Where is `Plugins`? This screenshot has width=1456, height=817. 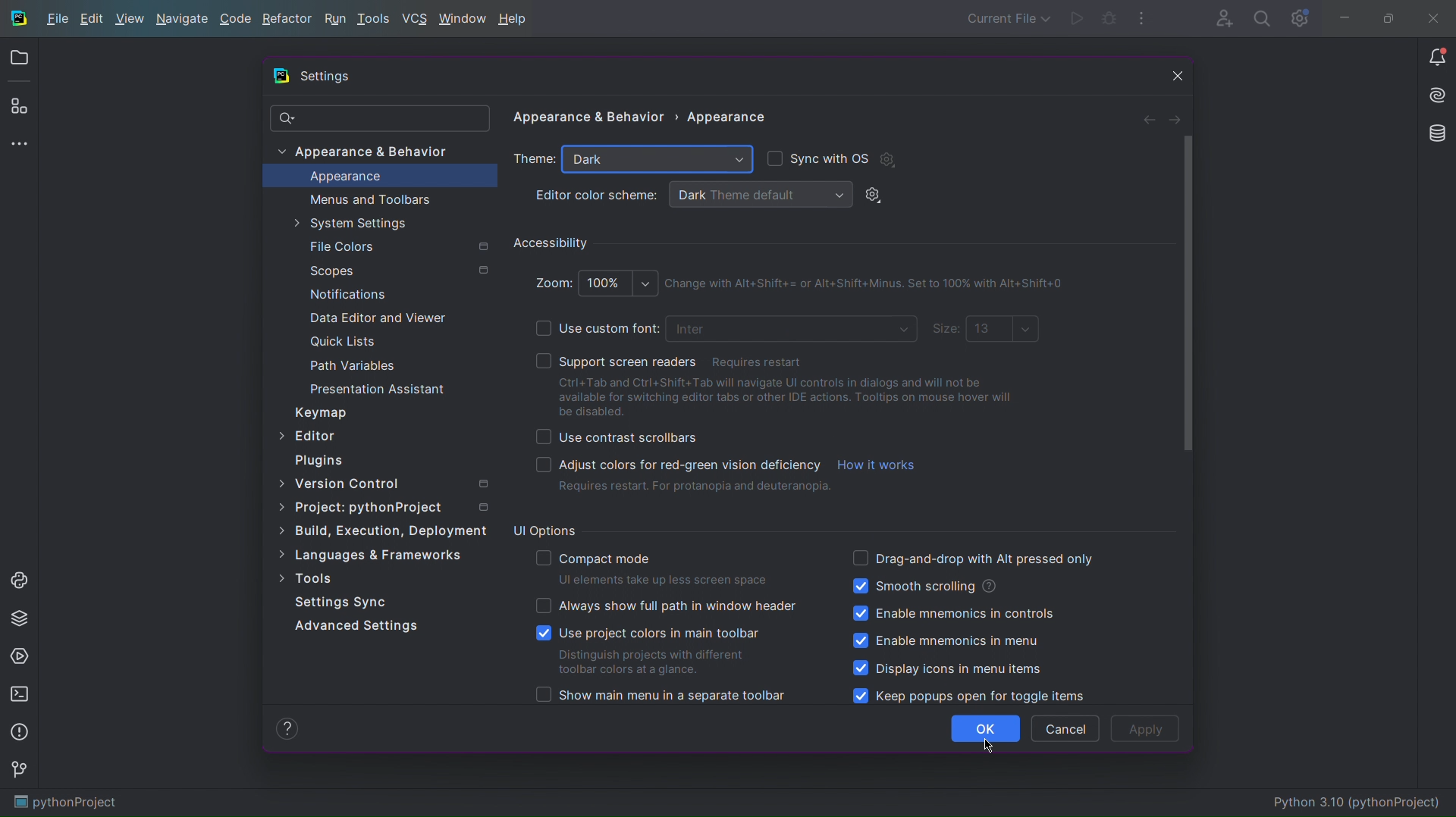 Plugins is located at coordinates (19, 105).